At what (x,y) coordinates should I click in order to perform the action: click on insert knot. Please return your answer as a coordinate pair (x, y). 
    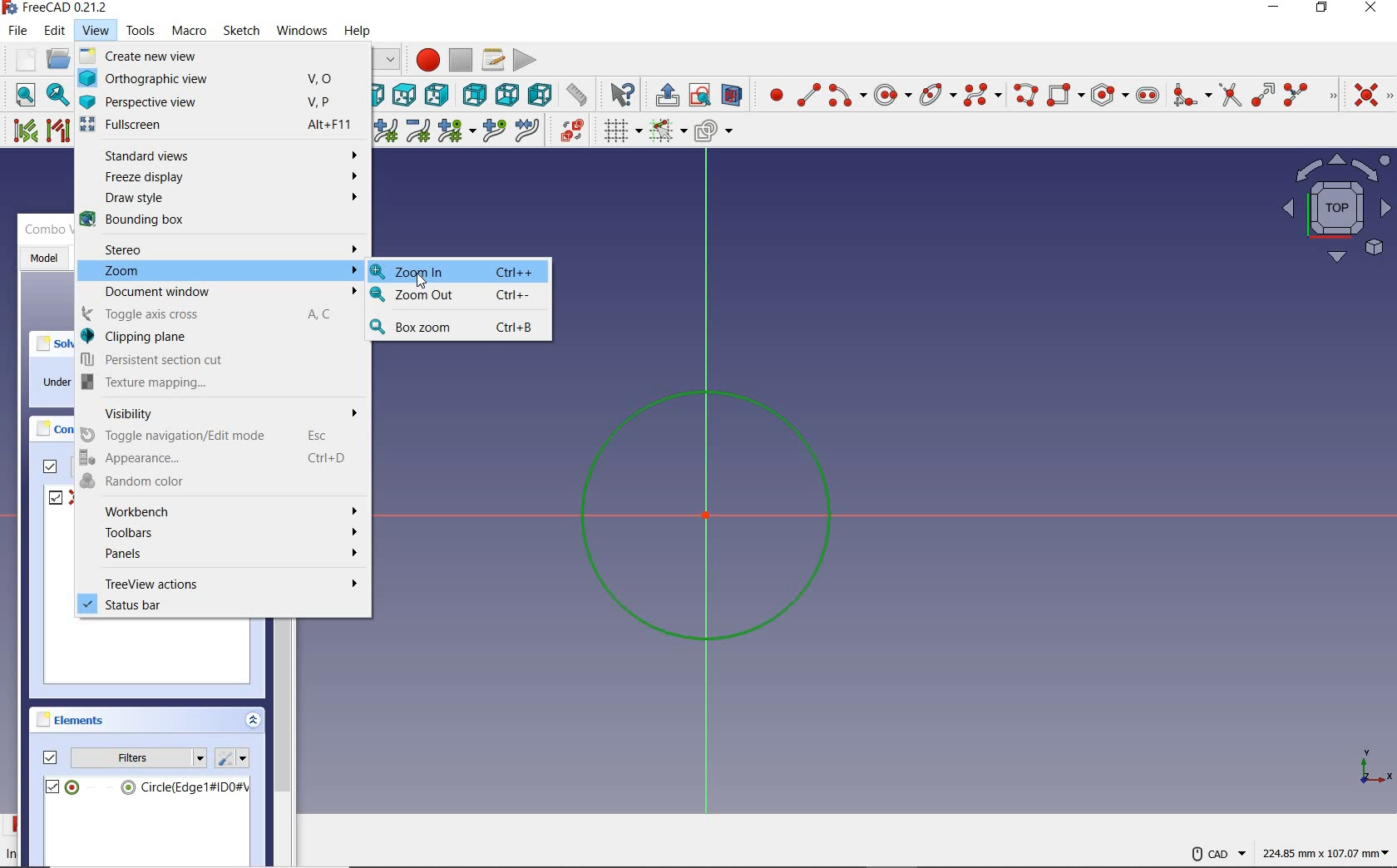
    Looking at the image, I should click on (492, 129).